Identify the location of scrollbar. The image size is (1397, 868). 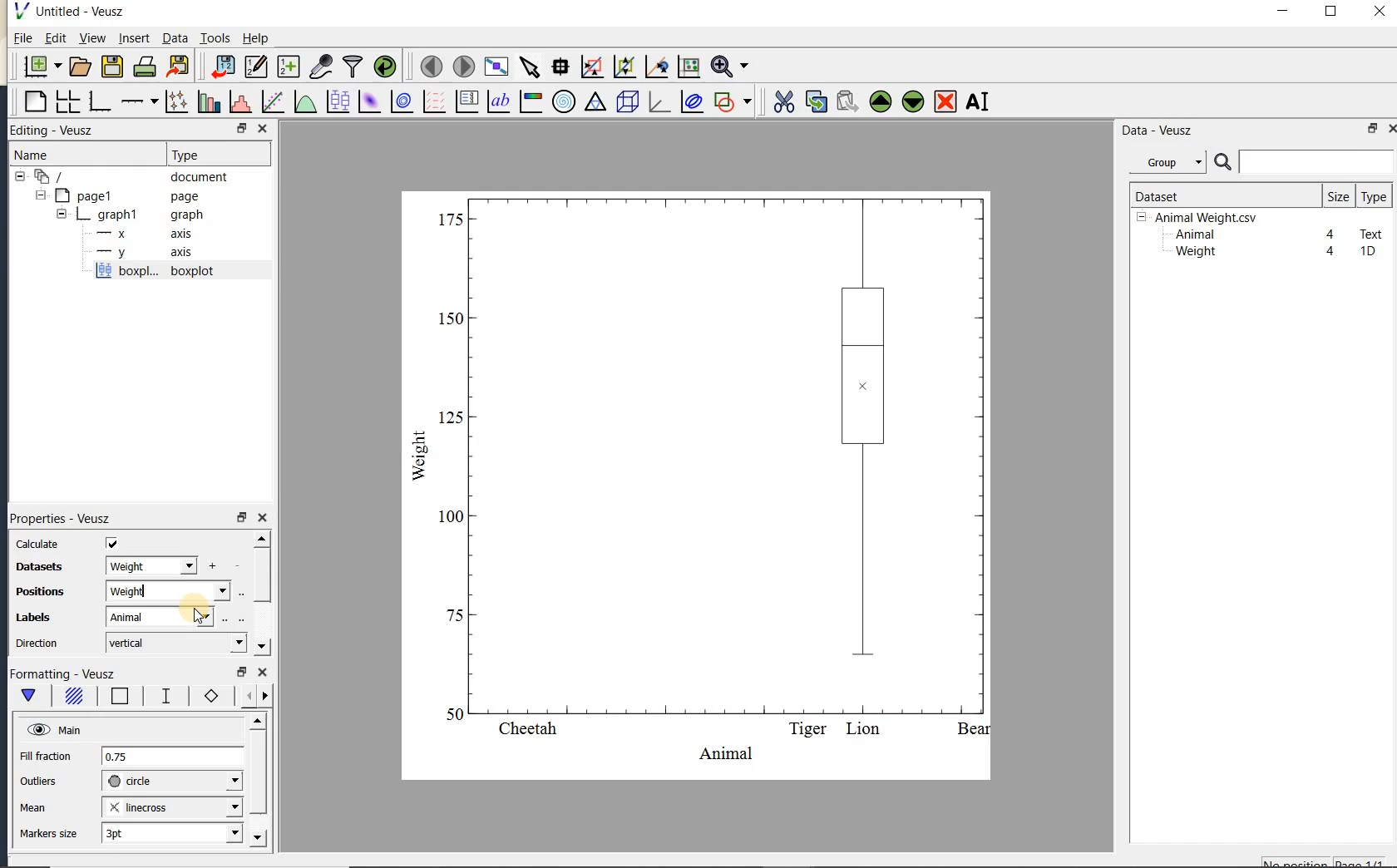
(257, 781).